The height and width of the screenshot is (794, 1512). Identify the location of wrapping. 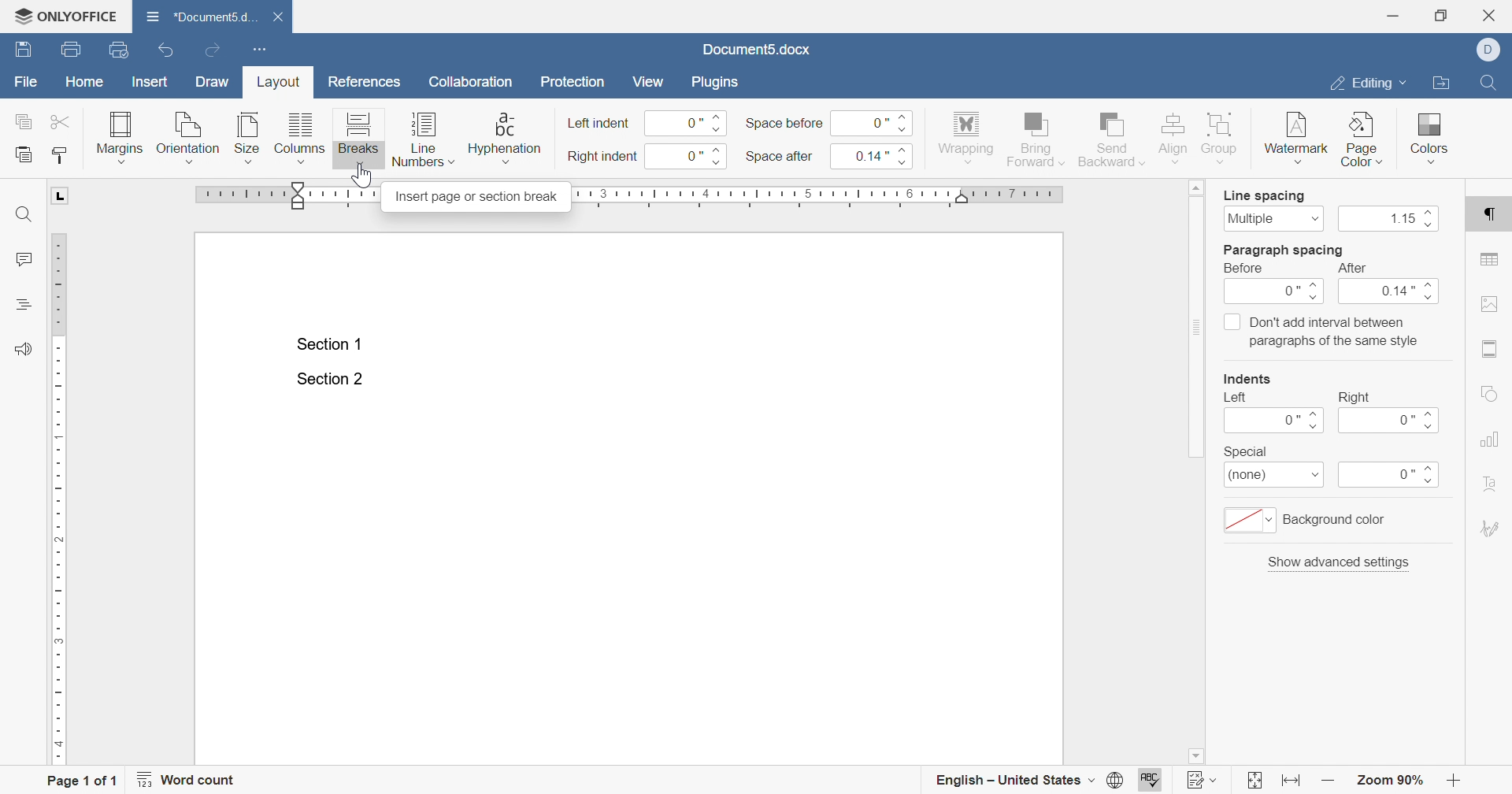
(966, 139).